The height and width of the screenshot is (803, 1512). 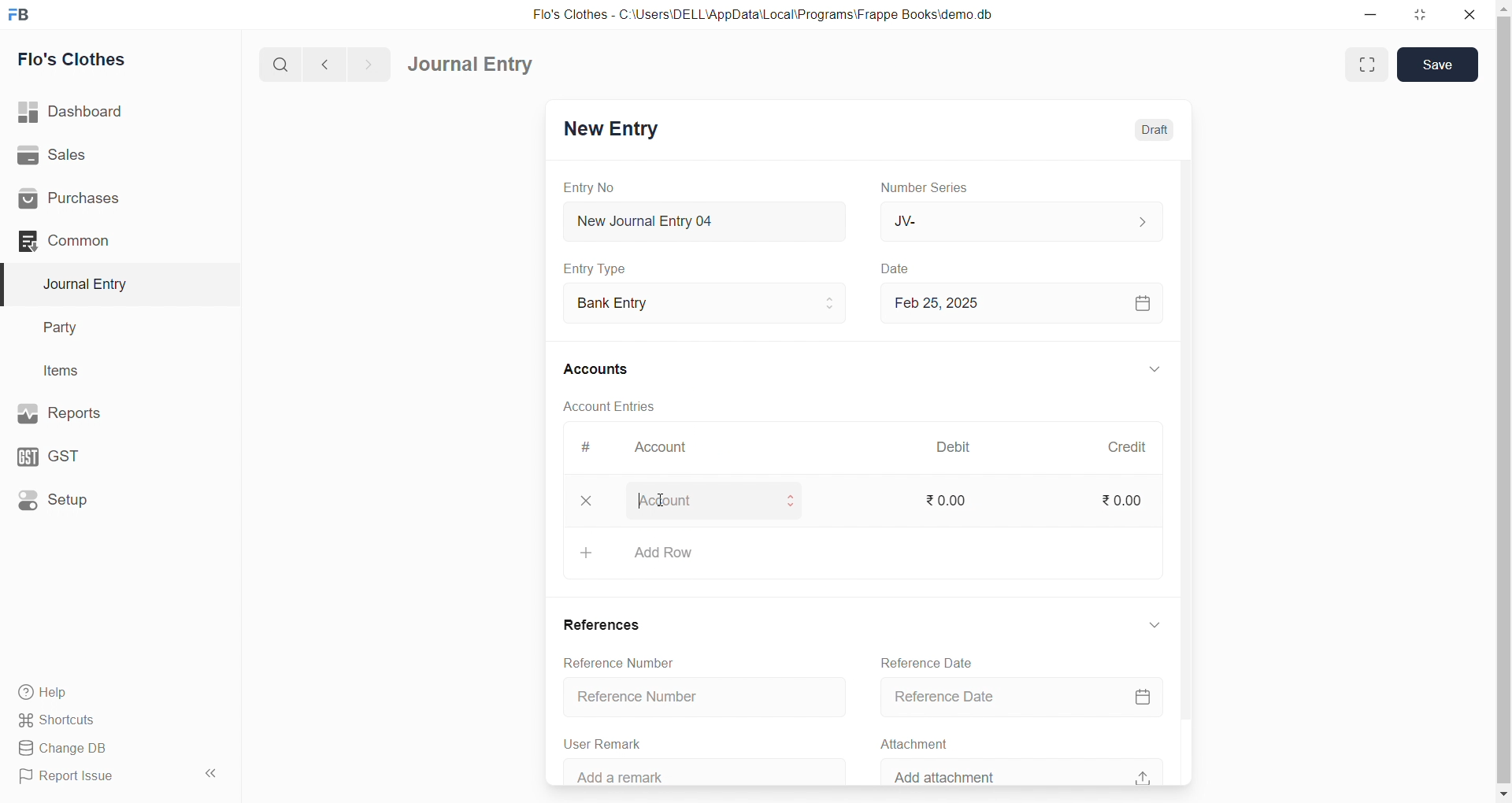 What do you see at coordinates (606, 742) in the screenshot?
I see `User Remark` at bounding box center [606, 742].